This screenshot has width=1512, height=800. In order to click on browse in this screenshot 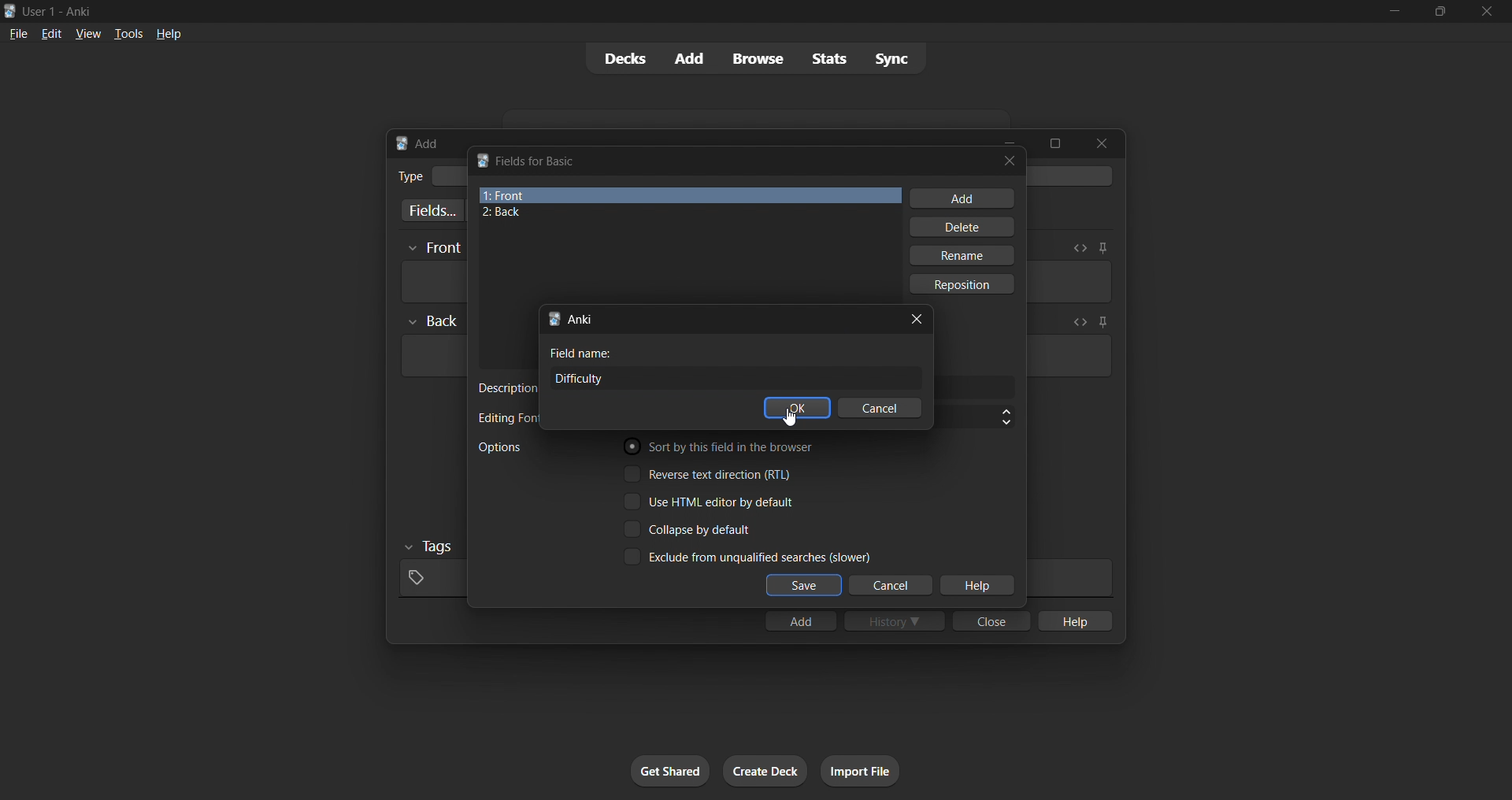, I will do `click(758, 58)`.